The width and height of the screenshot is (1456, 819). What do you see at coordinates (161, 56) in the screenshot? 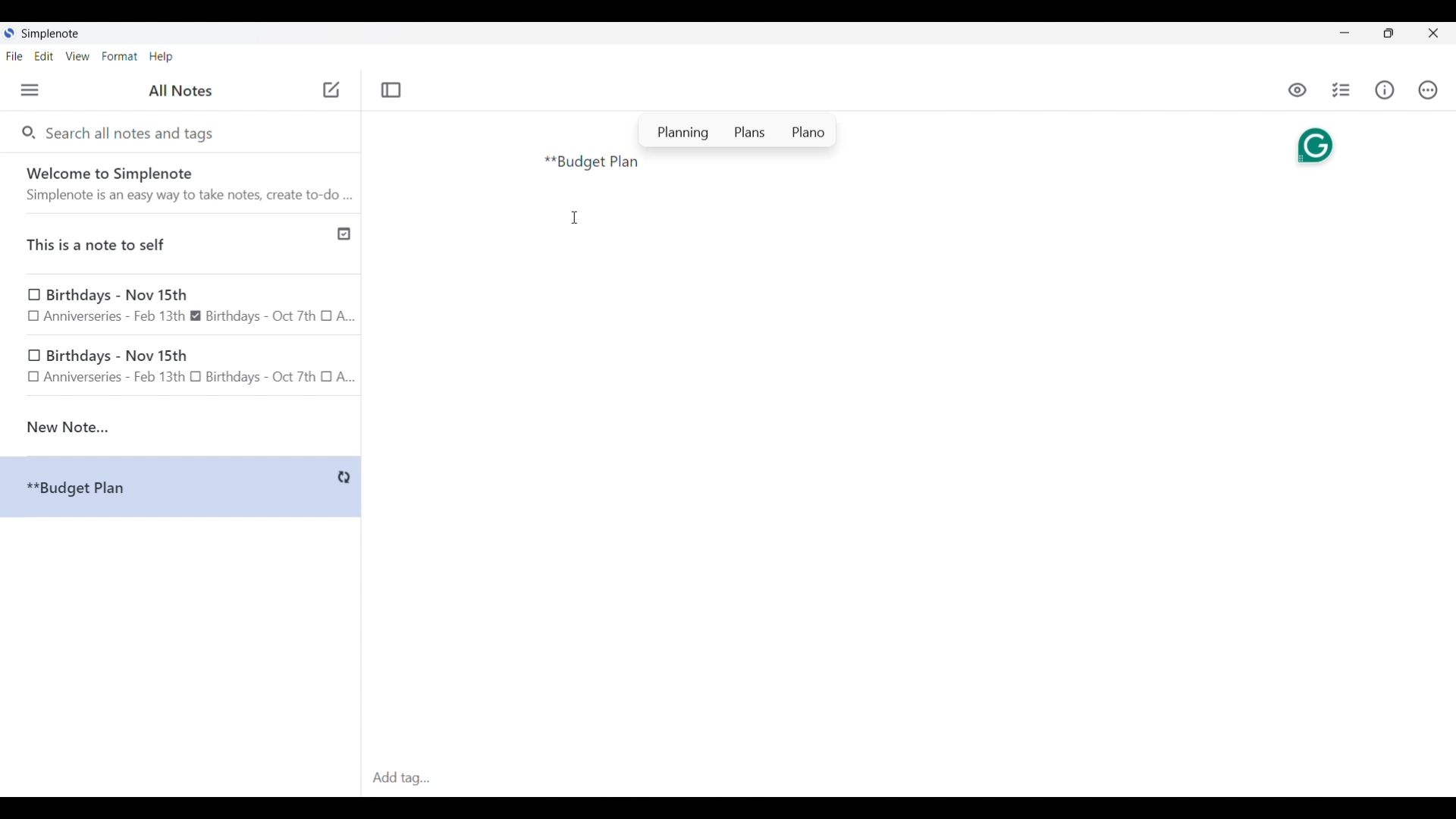
I see `Help menu` at bounding box center [161, 56].